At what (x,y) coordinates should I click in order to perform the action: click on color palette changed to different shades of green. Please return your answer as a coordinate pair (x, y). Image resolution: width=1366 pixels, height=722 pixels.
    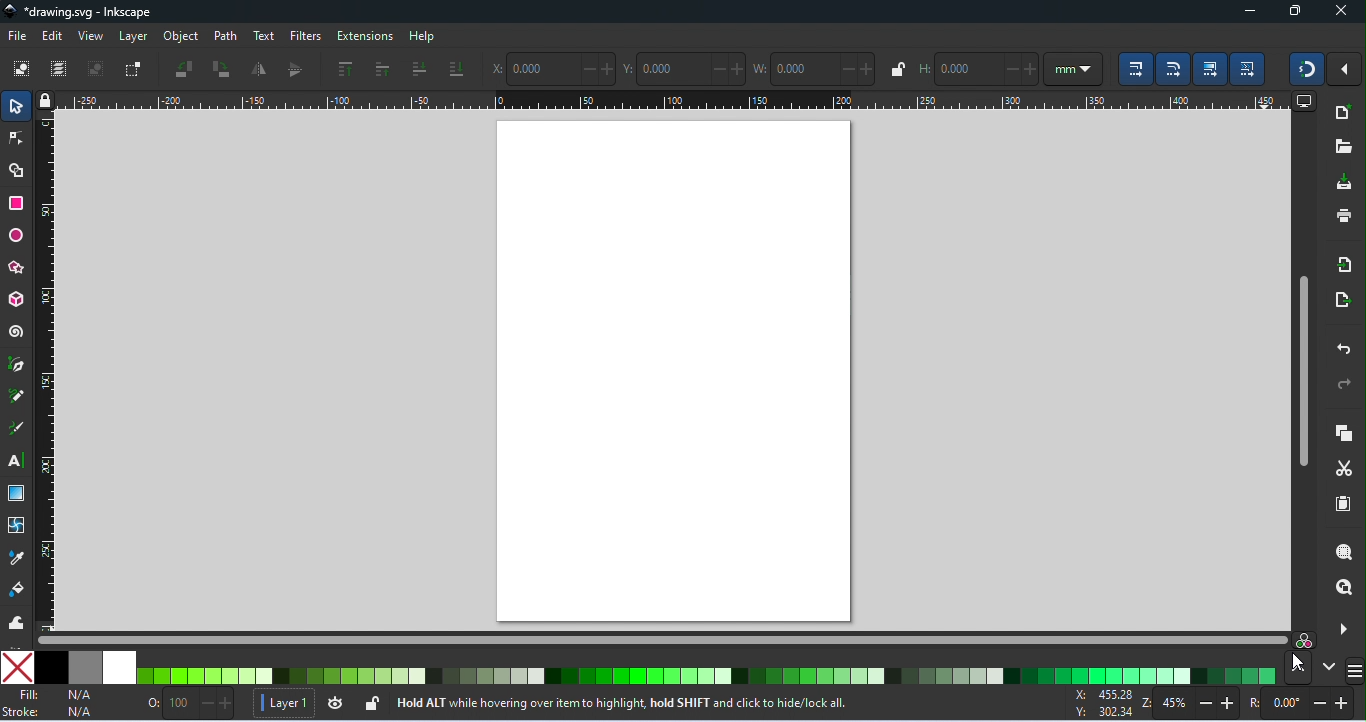
    Looking at the image, I should click on (709, 676).